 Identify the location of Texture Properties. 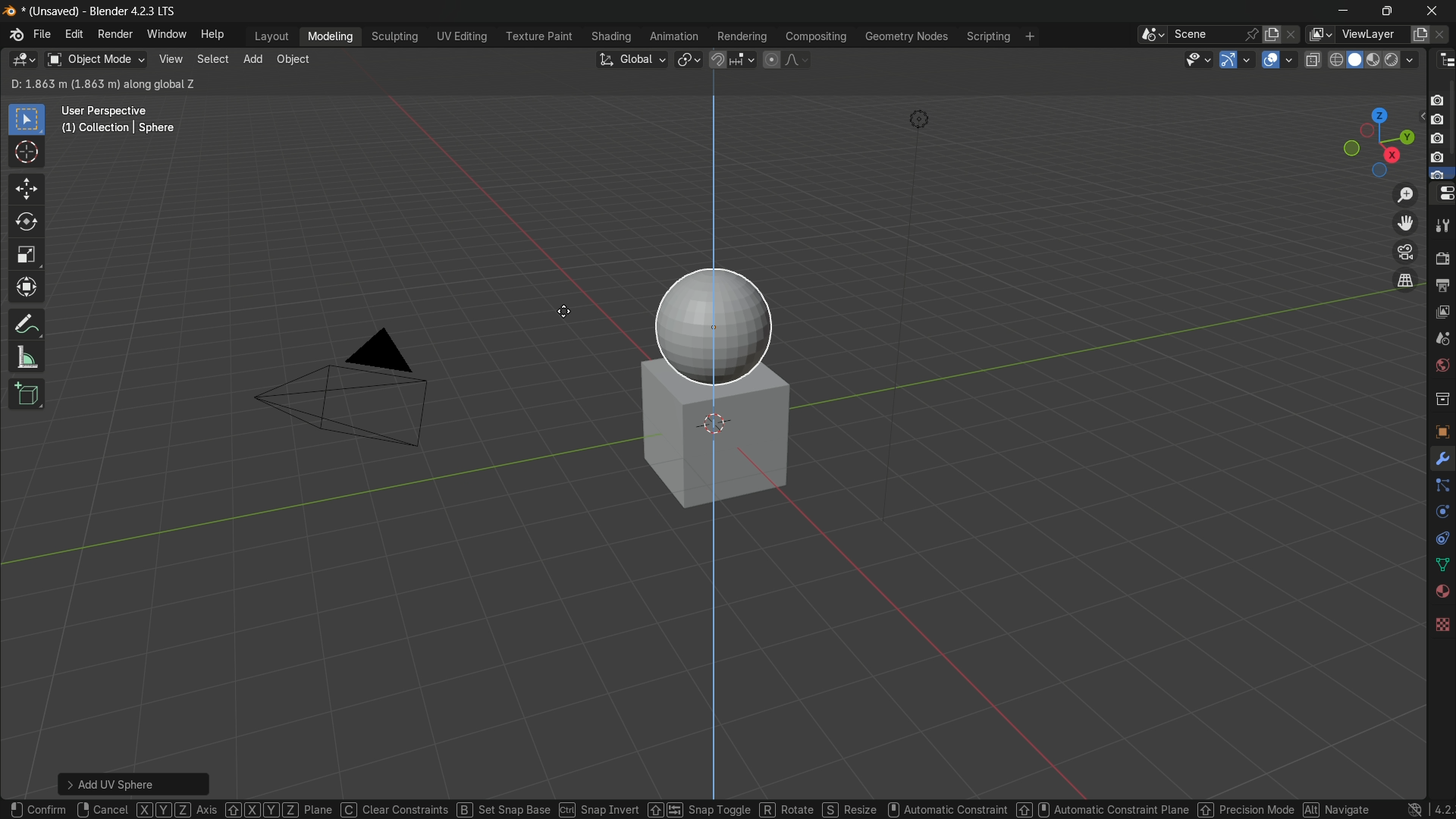
(1442, 623).